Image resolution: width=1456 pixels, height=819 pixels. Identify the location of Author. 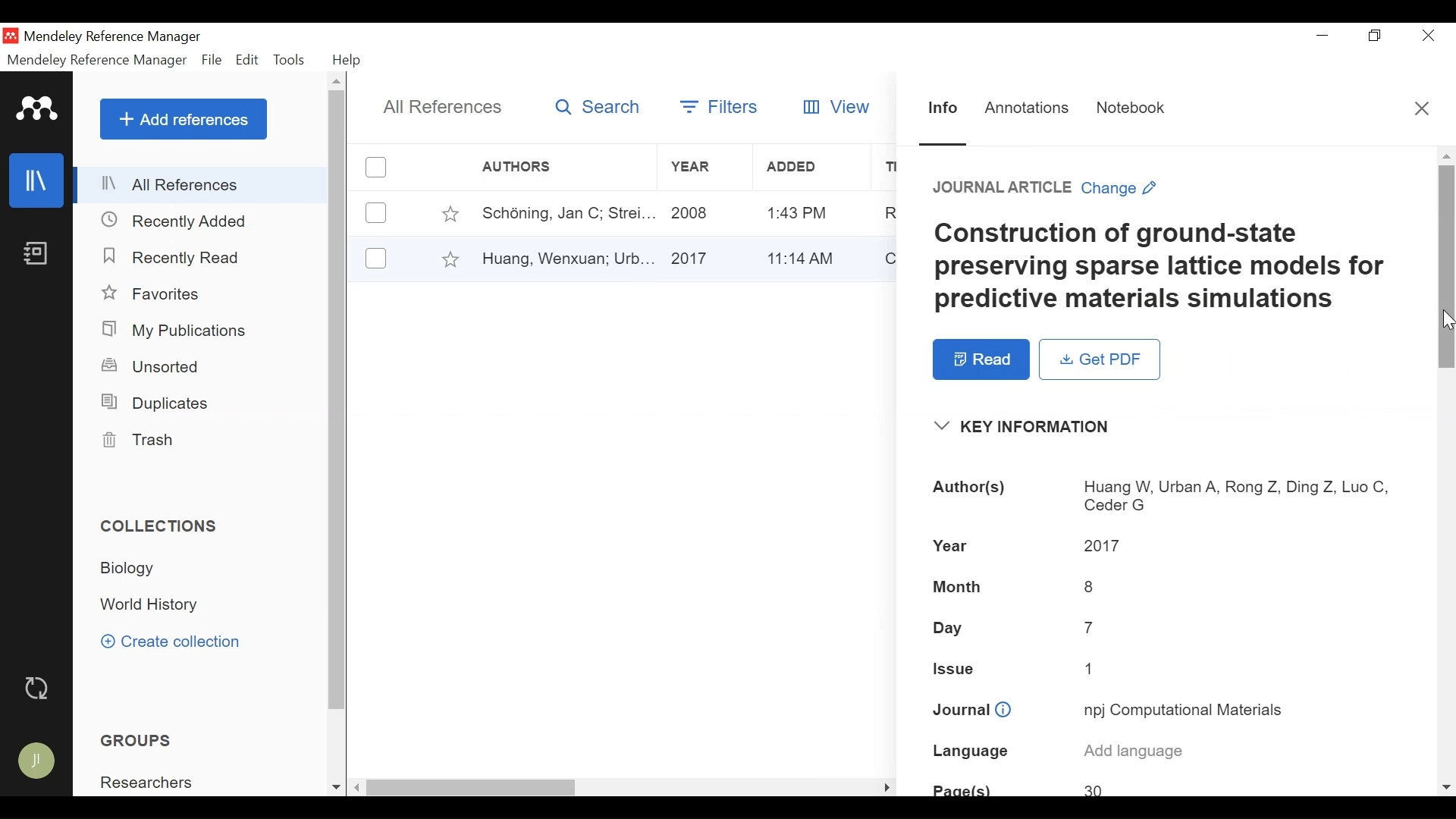
(566, 257).